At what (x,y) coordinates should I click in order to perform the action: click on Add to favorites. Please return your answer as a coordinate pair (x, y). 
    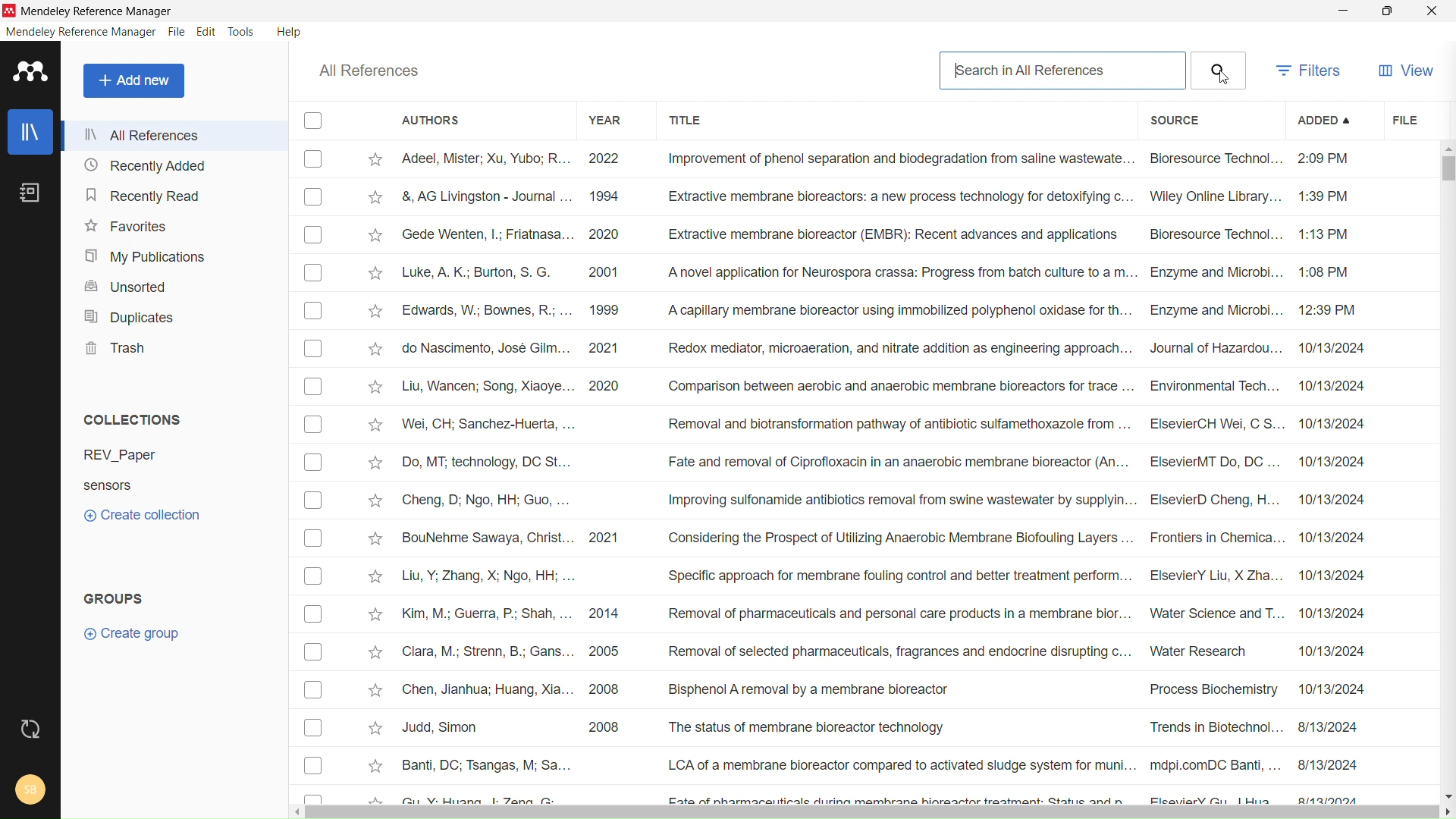
    Looking at the image, I should click on (375, 498).